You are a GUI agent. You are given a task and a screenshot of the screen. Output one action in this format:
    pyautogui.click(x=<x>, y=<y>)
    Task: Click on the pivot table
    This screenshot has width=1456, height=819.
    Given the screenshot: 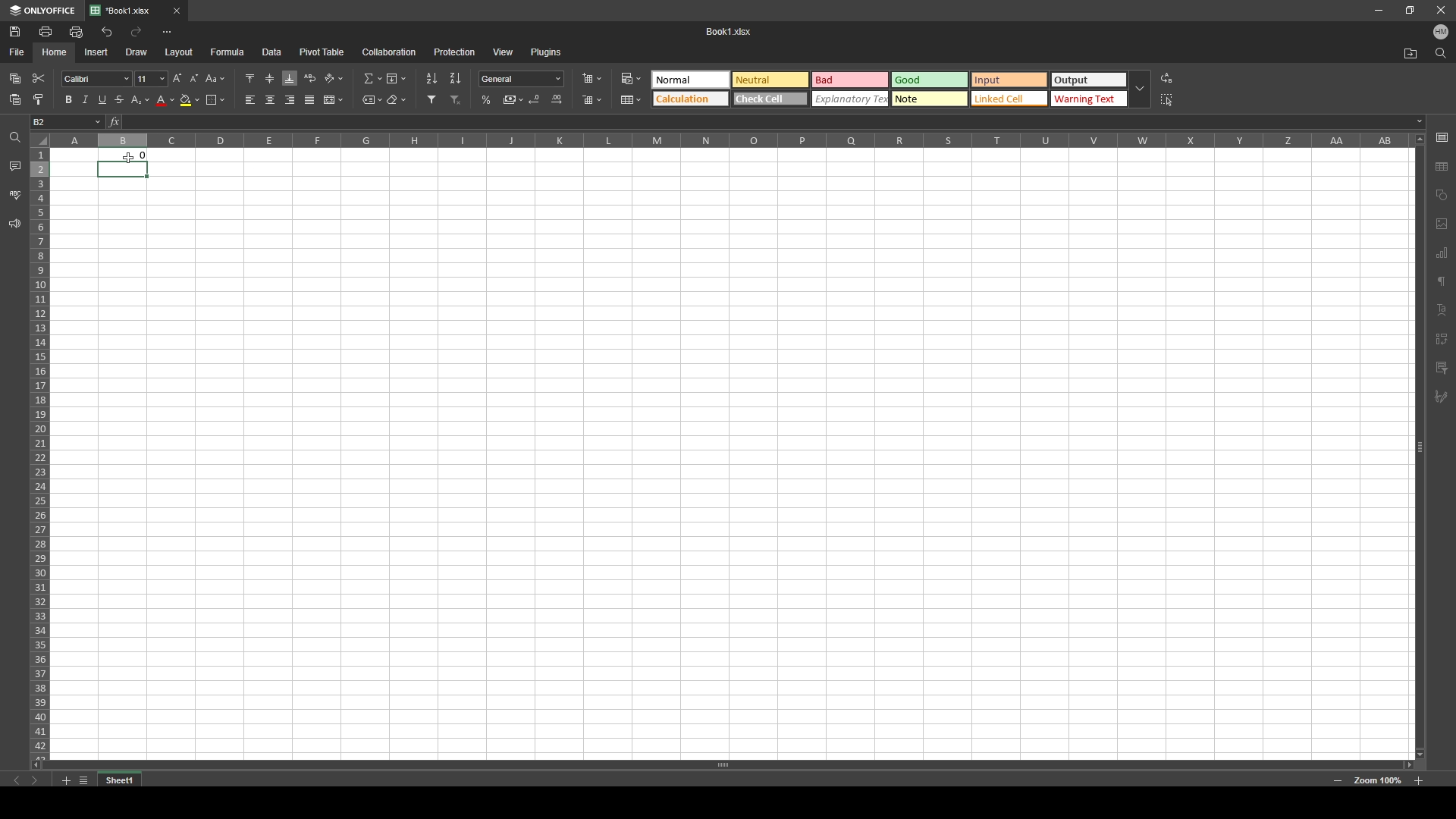 What is the action you would take?
    pyautogui.click(x=322, y=52)
    